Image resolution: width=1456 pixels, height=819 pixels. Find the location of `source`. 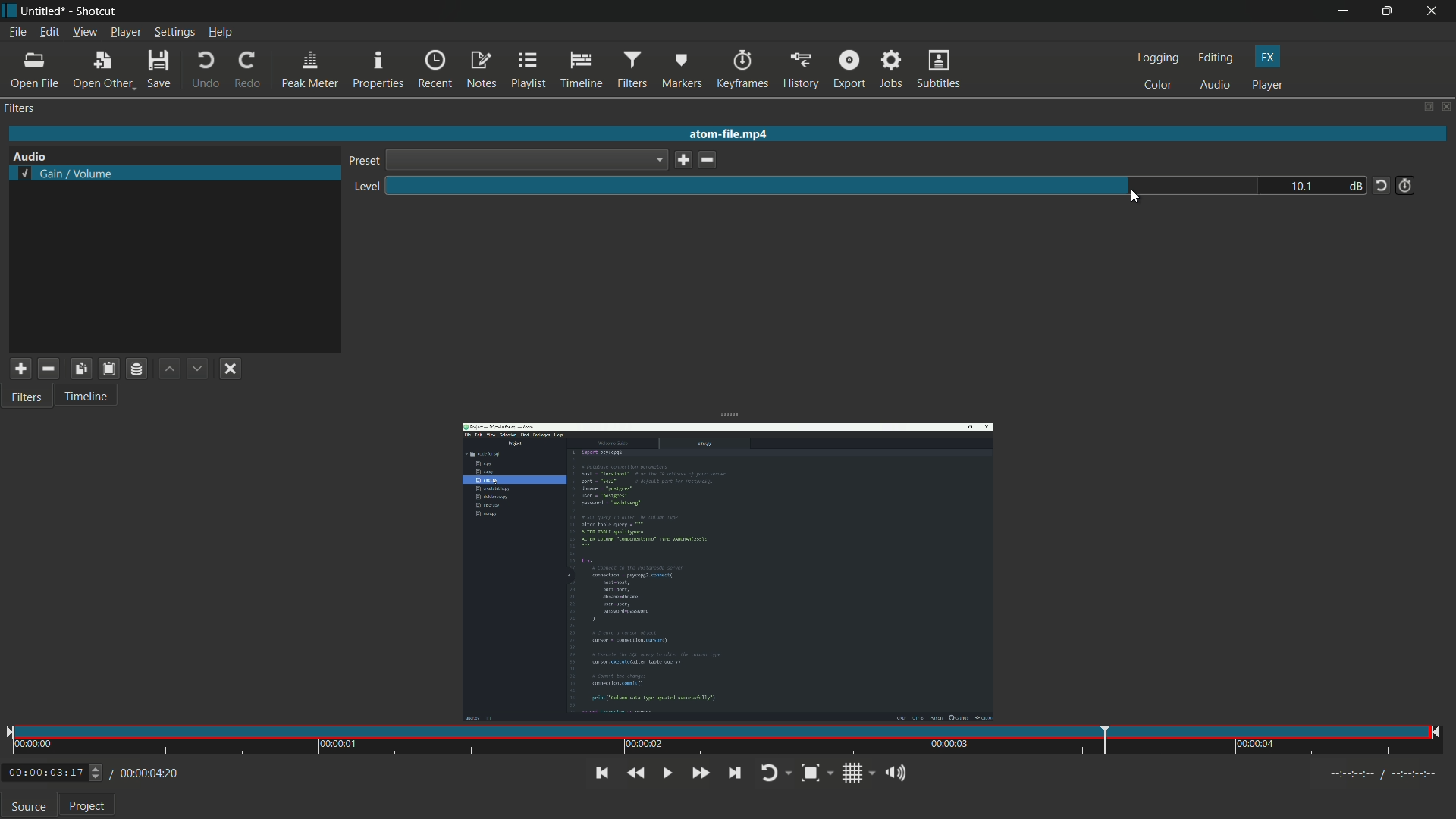

source is located at coordinates (29, 806).